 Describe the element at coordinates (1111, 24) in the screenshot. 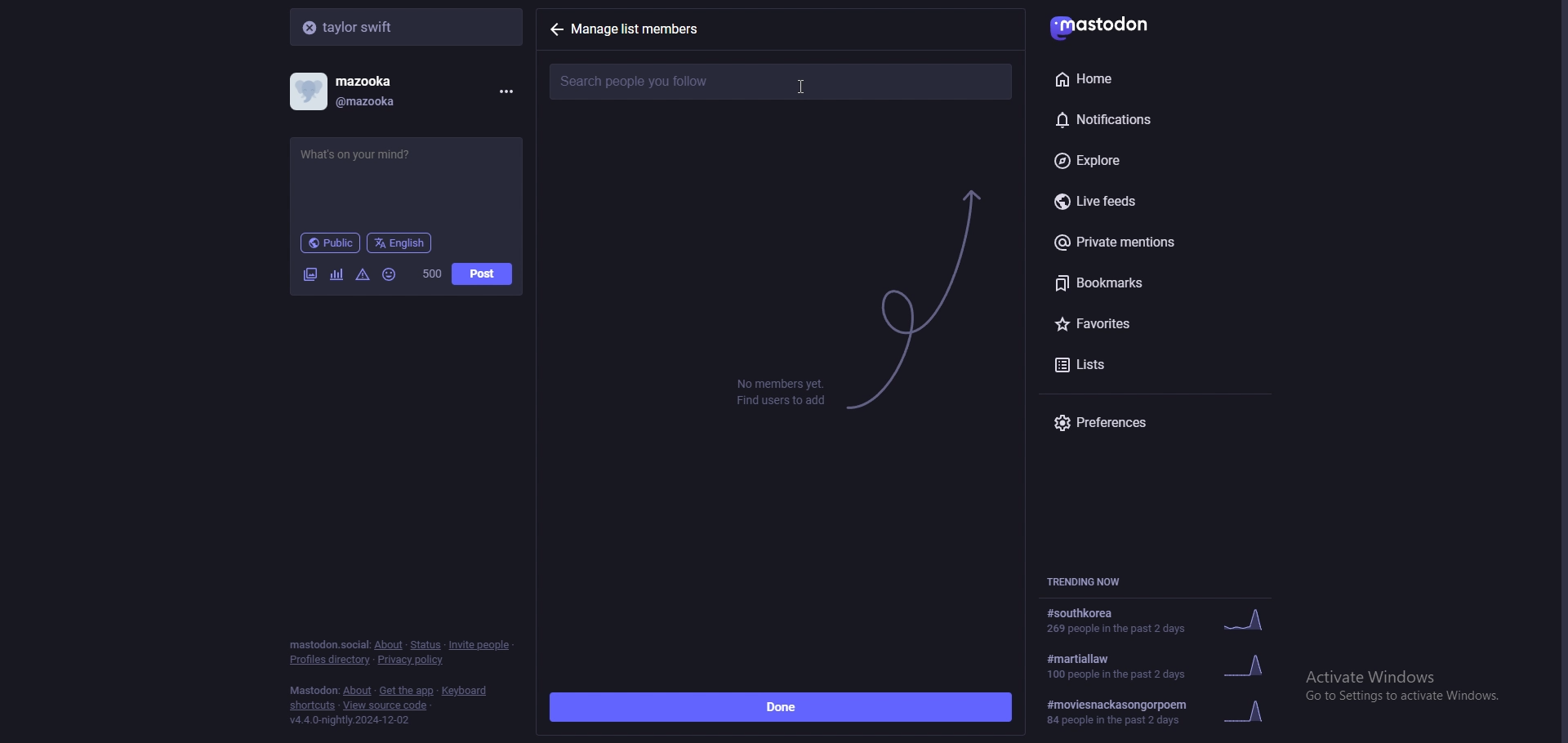

I see `mastodon` at that location.